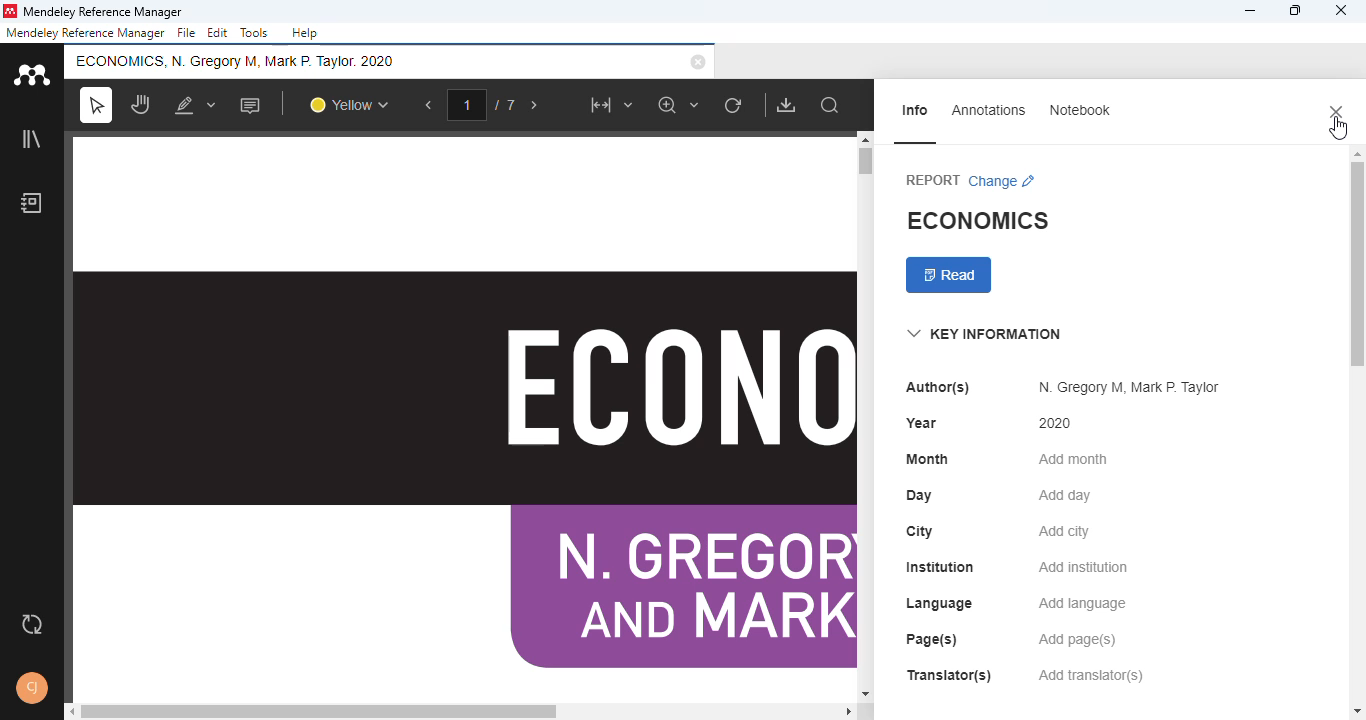  What do you see at coordinates (196, 104) in the screenshot?
I see `highlight text/ highlight rectangle` at bounding box center [196, 104].